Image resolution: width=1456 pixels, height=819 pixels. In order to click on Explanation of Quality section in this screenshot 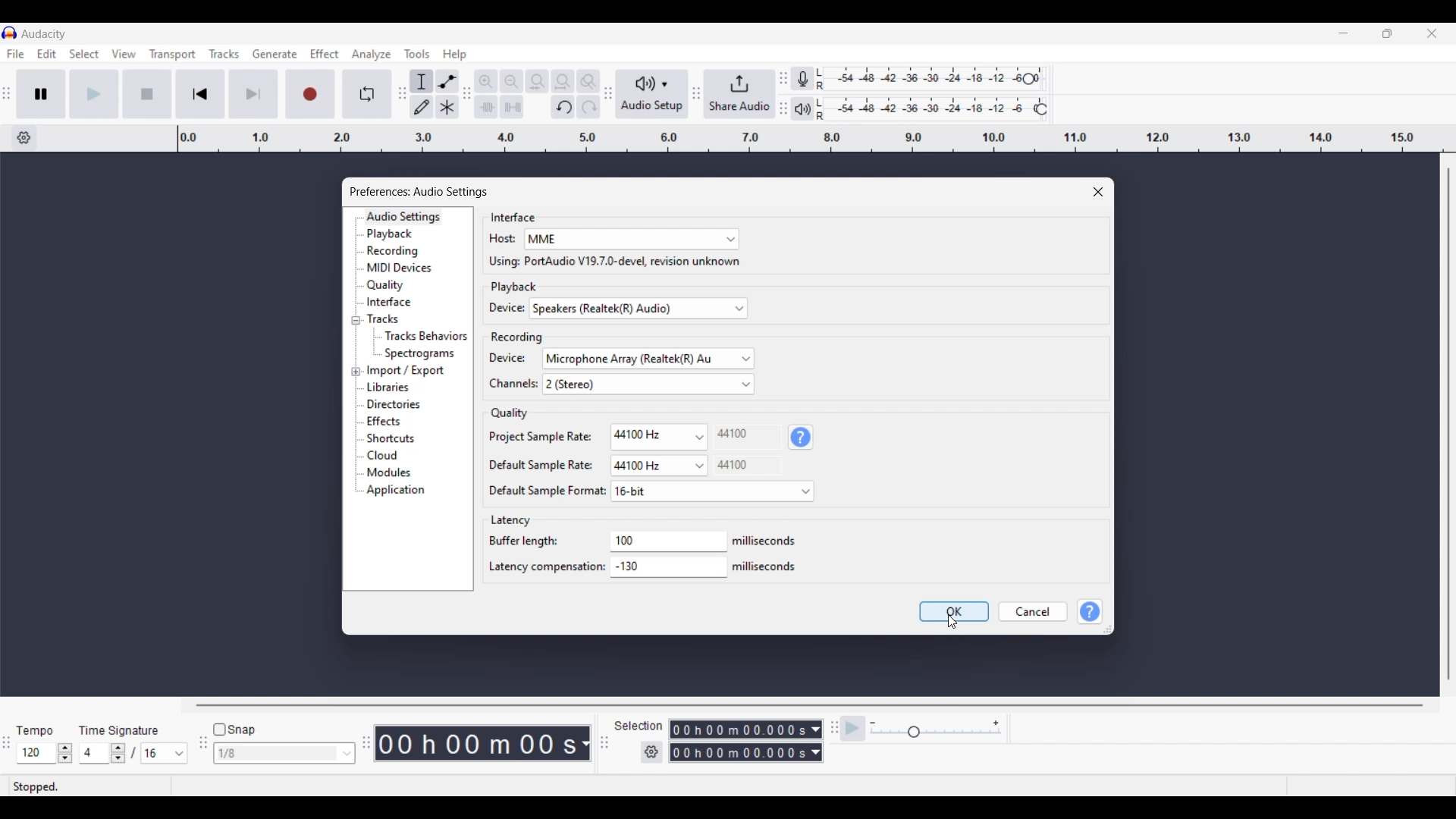, I will do `click(801, 438)`.